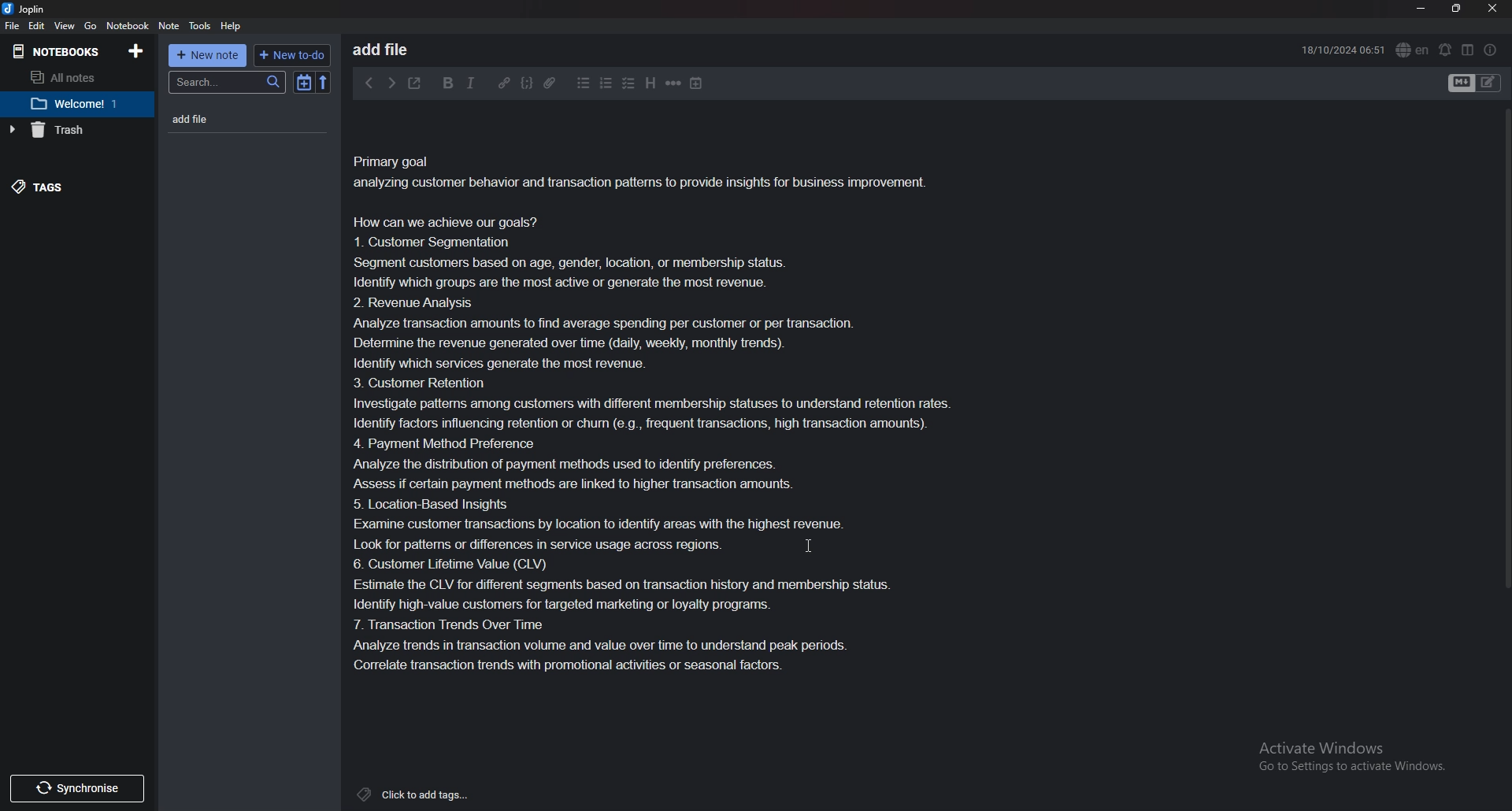 The height and width of the screenshot is (811, 1512). I want to click on new to do, so click(293, 56).